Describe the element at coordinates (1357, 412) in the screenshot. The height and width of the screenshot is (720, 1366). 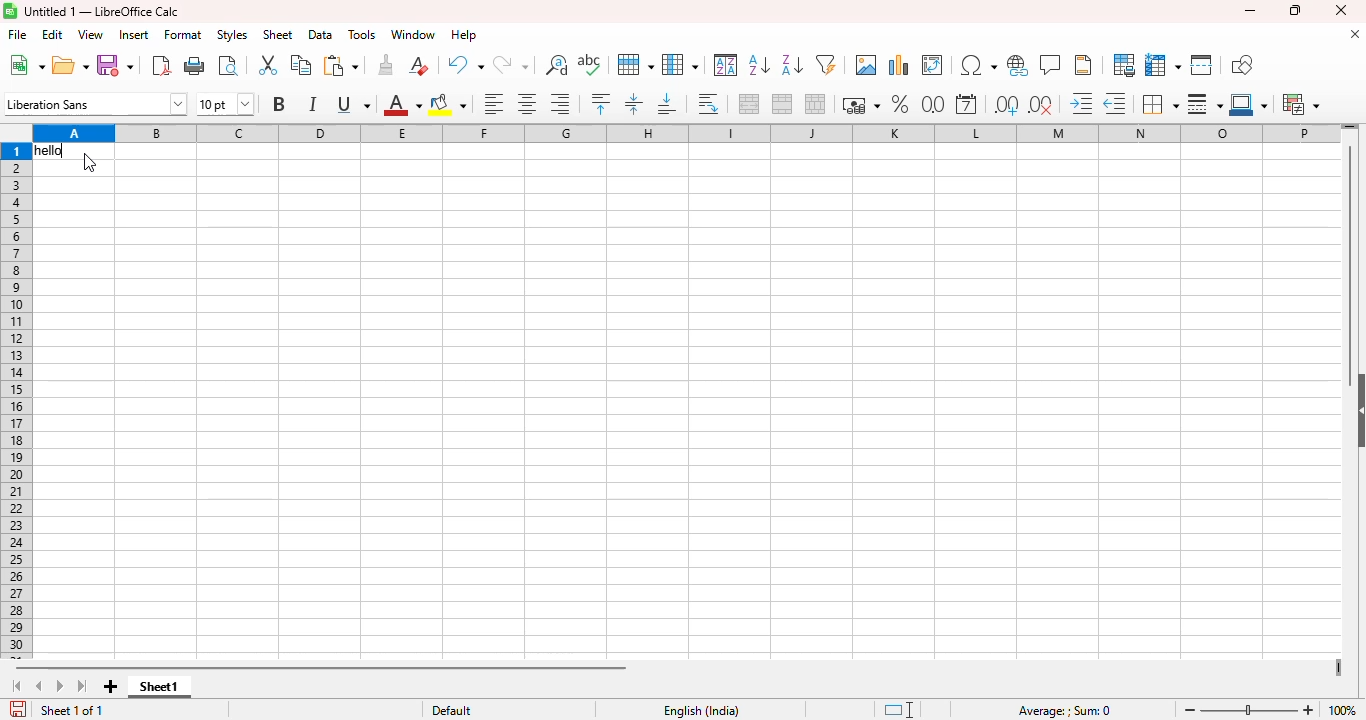
I see `show` at that location.